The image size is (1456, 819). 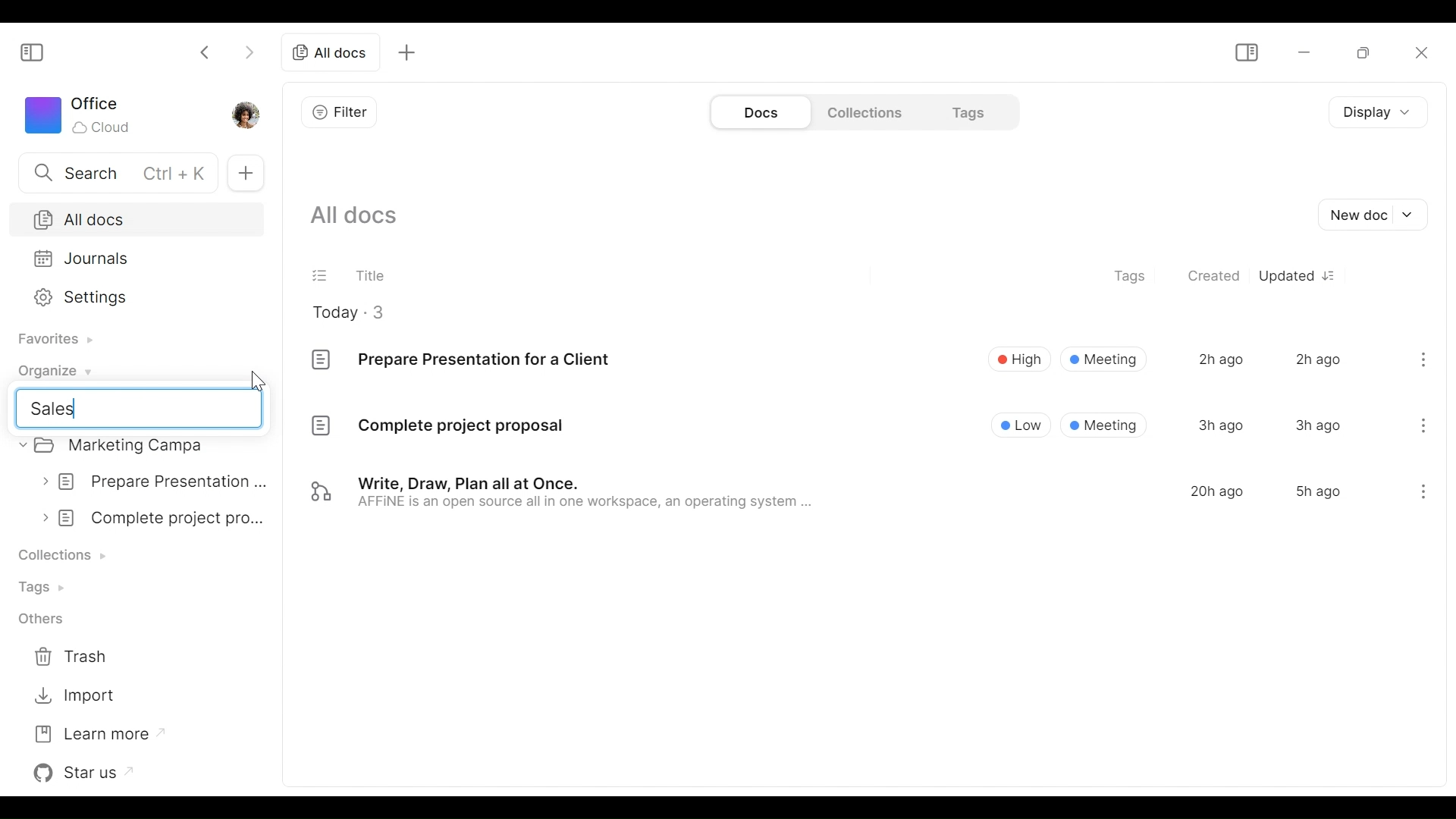 I want to click on Tags, so click(x=967, y=111).